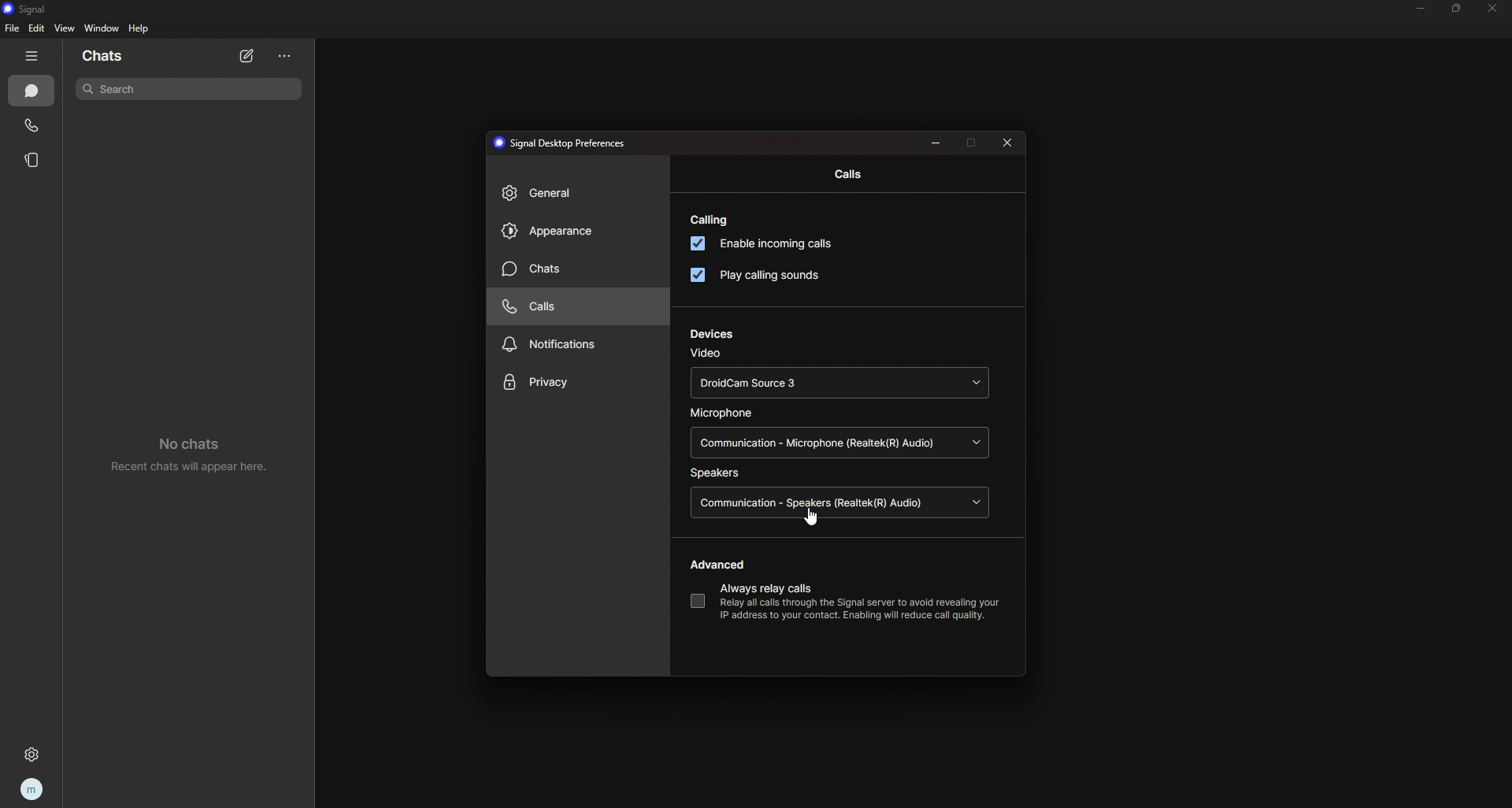  Describe the element at coordinates (1010, 145) in the screenshot. I see `close` at that location.